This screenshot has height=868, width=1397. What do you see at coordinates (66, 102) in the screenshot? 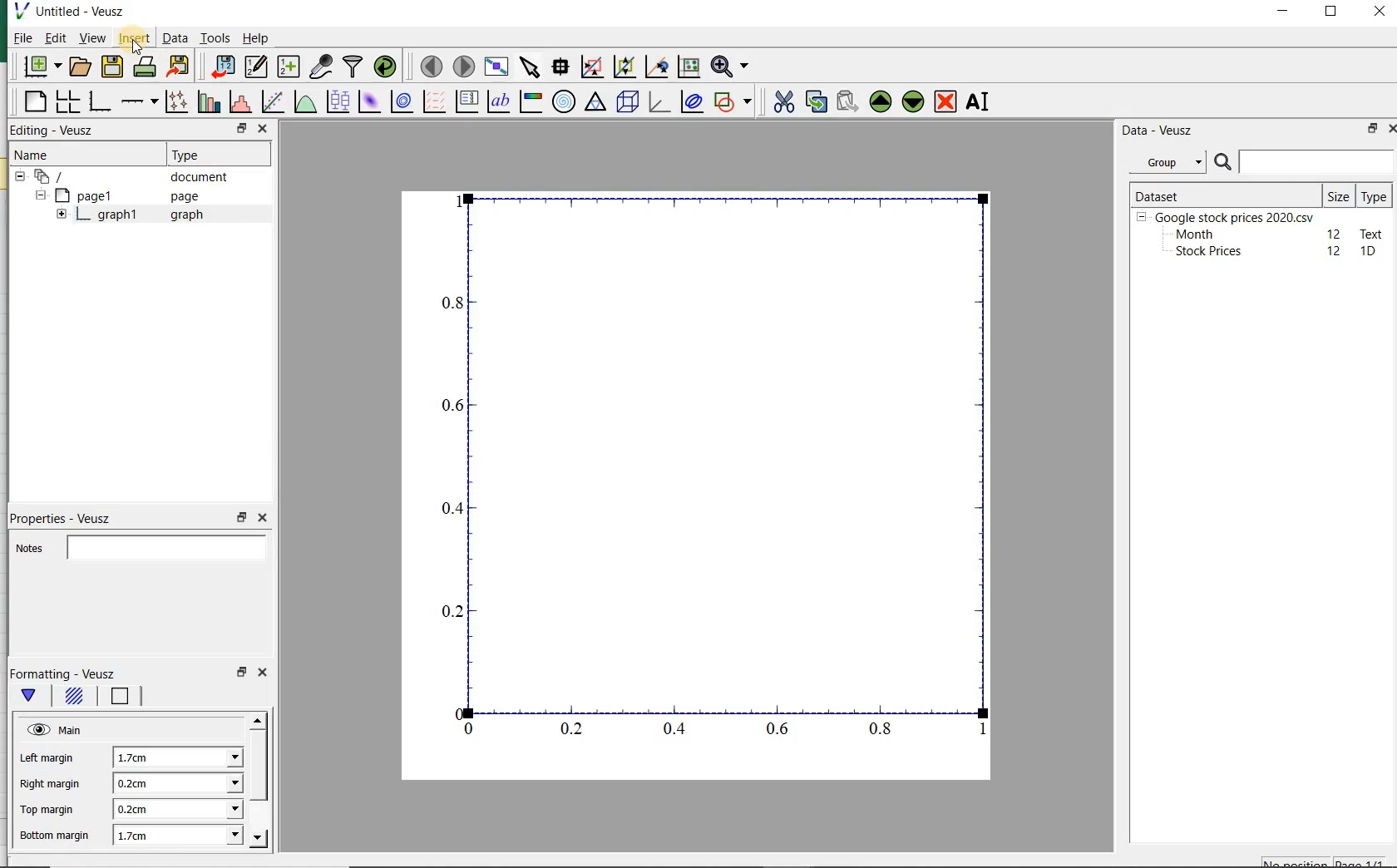
I see `arrange graphs in a grid` at bounding box center [66, 102].